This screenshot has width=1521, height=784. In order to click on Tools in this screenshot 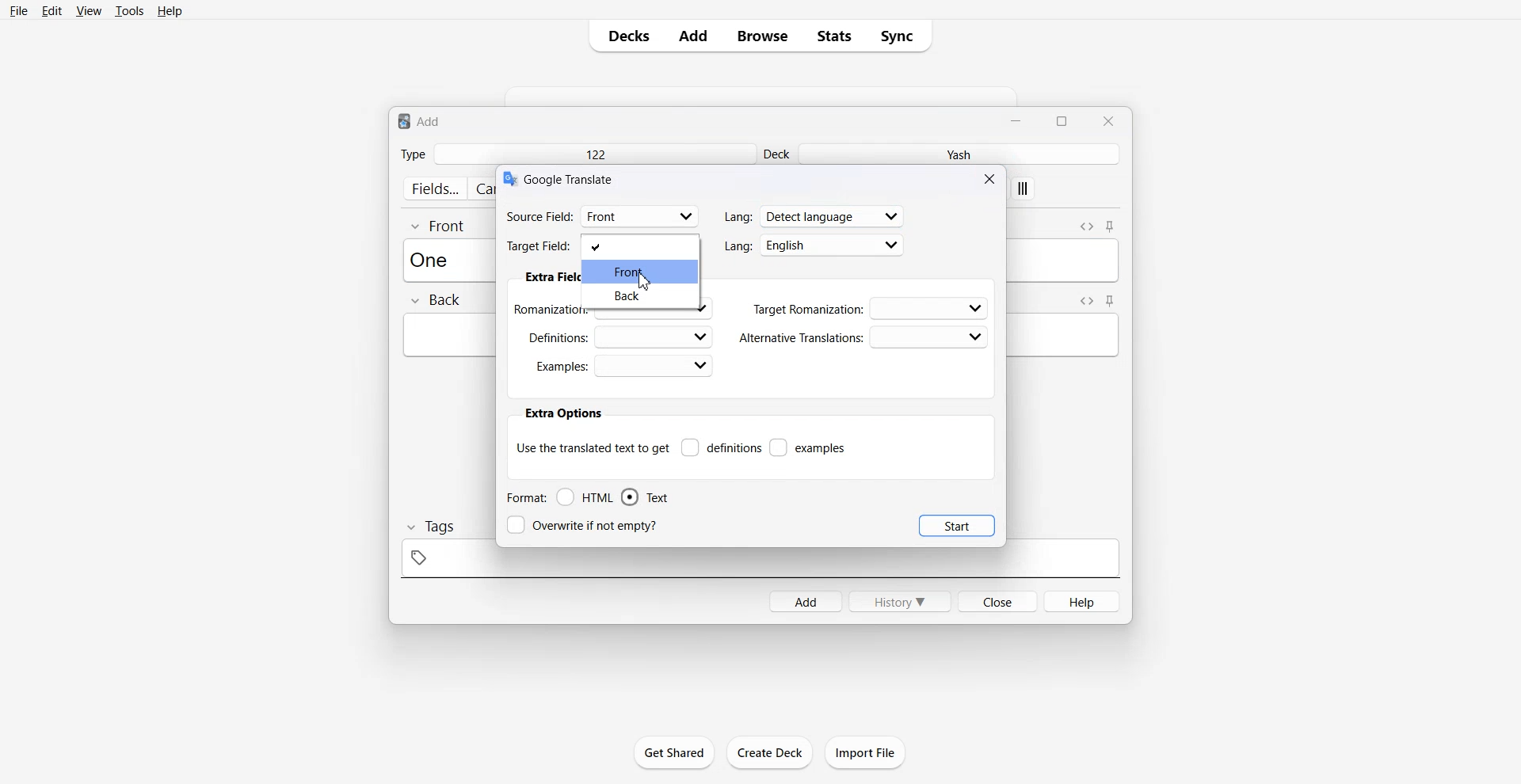, I will do `click(129, 10)`.